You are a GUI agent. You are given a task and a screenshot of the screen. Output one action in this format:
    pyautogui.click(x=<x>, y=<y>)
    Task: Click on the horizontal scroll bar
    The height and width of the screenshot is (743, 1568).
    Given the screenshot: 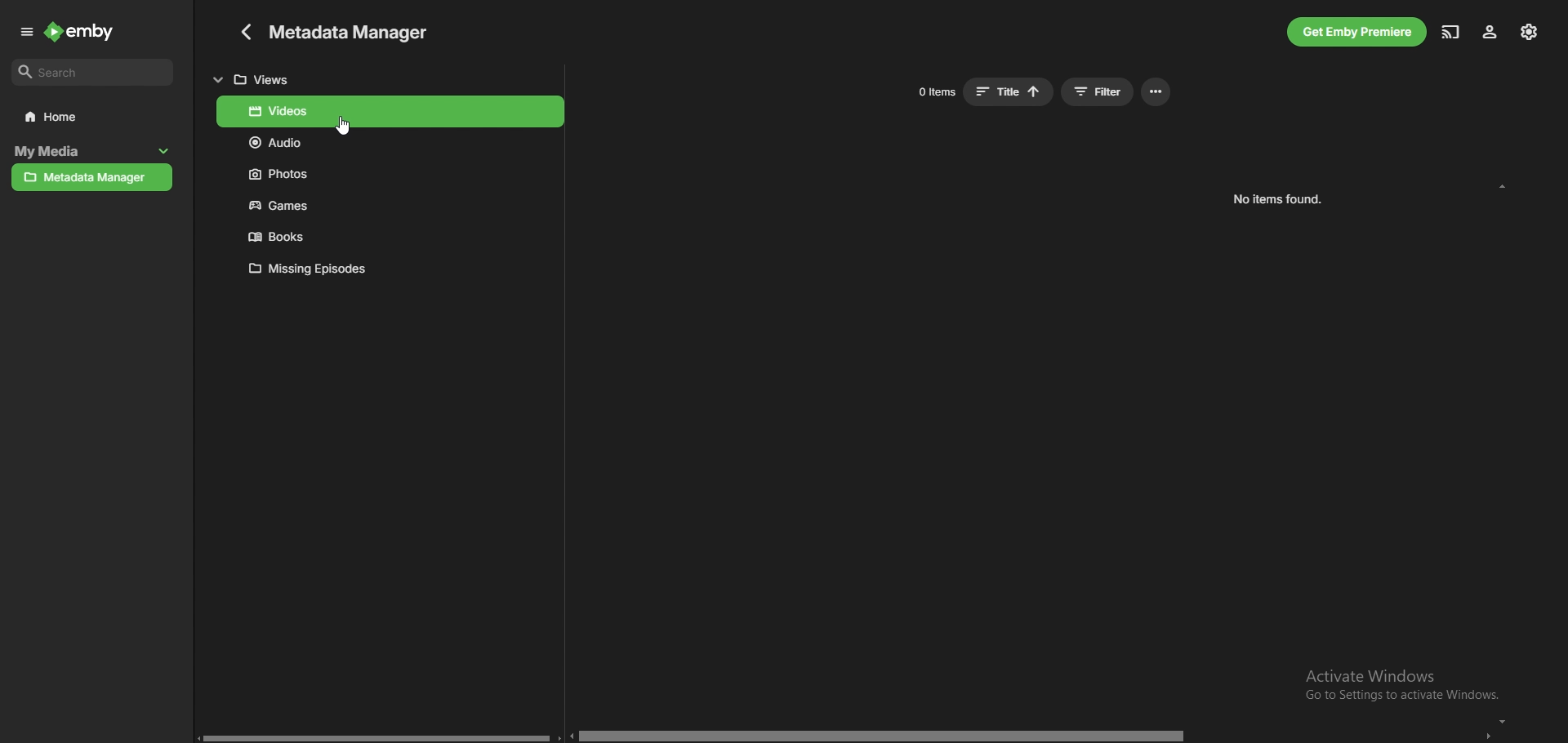 What is the action you would take?
    pyautogui.click(x=880, y=736)
    